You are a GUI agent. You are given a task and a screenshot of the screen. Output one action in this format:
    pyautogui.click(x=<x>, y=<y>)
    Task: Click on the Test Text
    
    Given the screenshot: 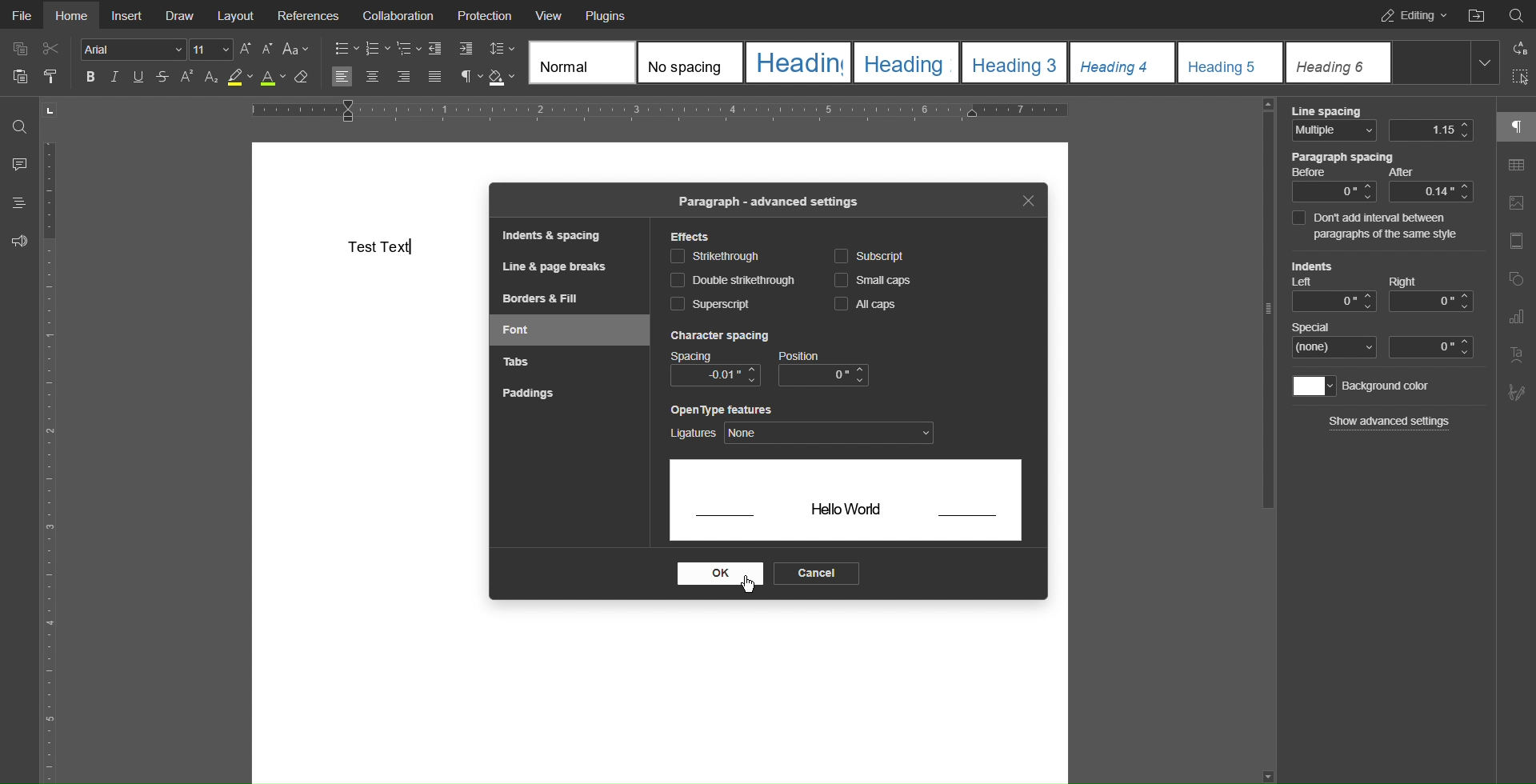 What is the action you would take?
    pyautogui.click(x=380, y=246)
    